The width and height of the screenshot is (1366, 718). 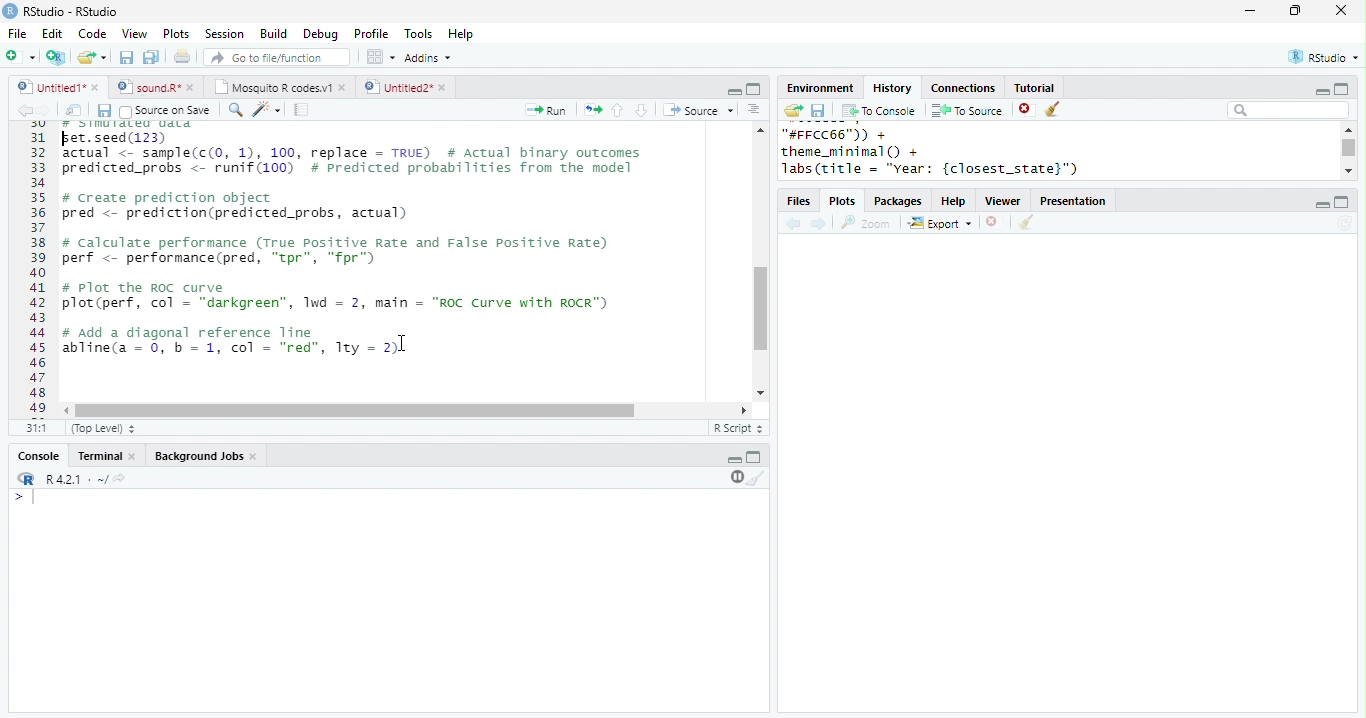 What do you see at coordinates (379, 57) in the screenshot?
I see `options` at bounding box center [379, 57].